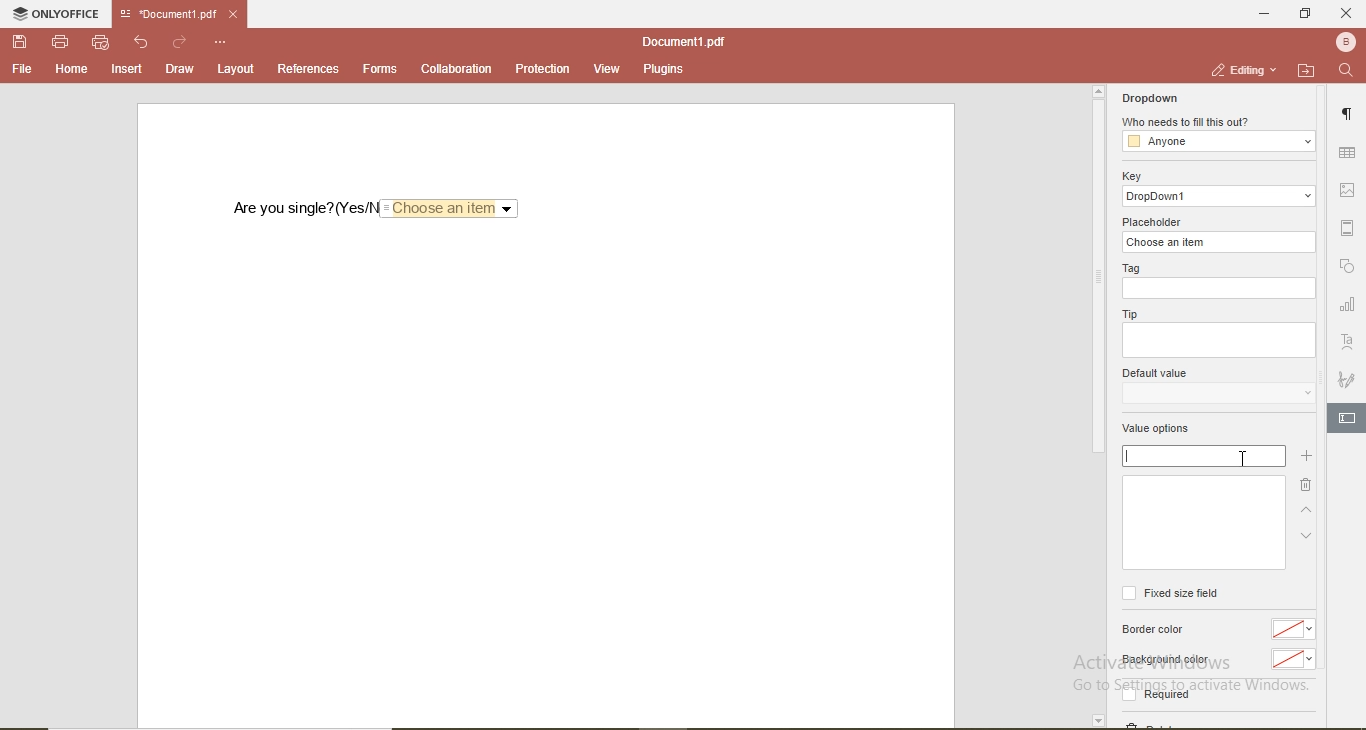 This screenshot has height=730, width=1366. I want to click on profile, so click(1347, 43).